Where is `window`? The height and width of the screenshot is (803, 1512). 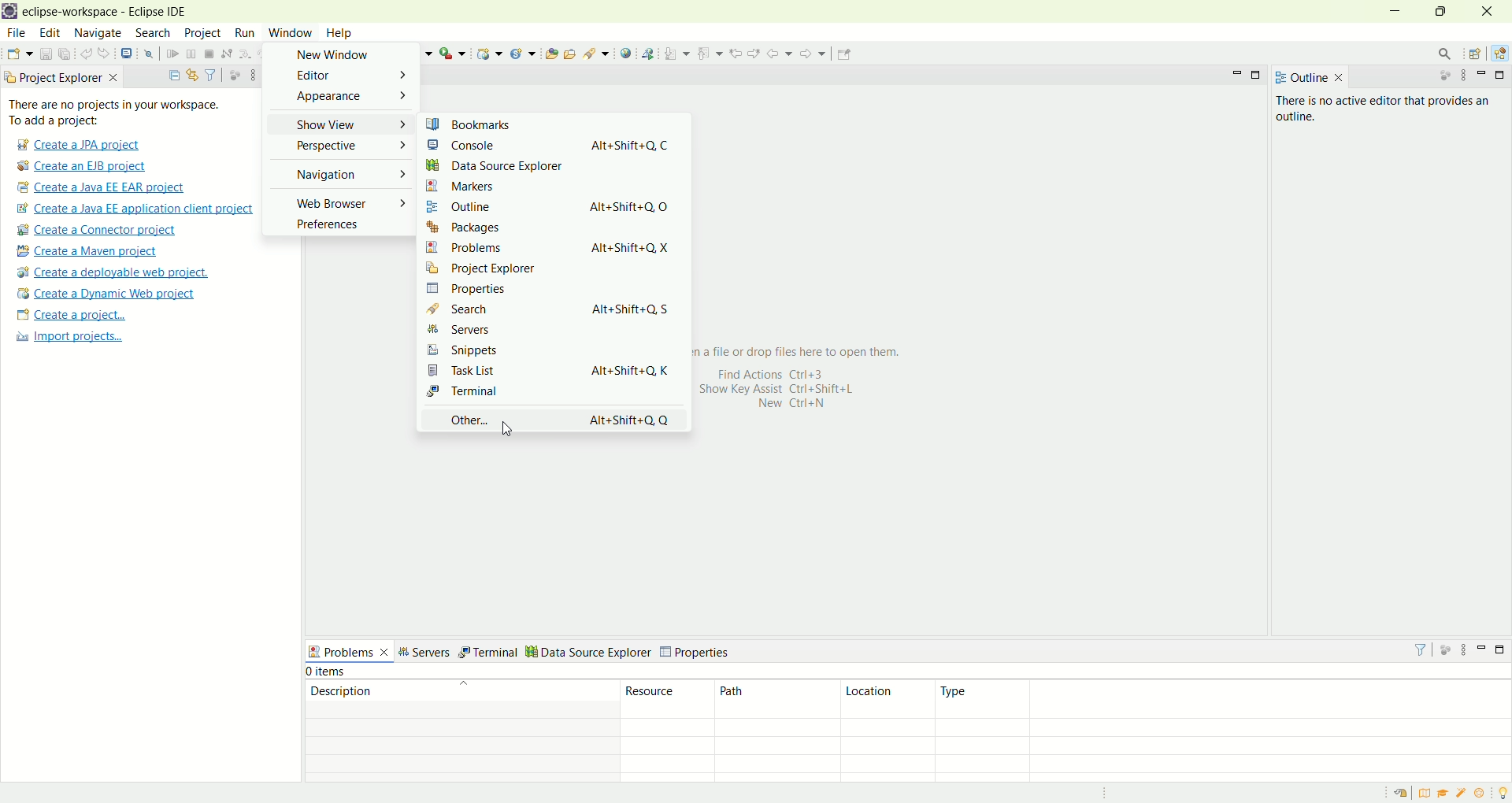 window is located at coordinates (290, 33).